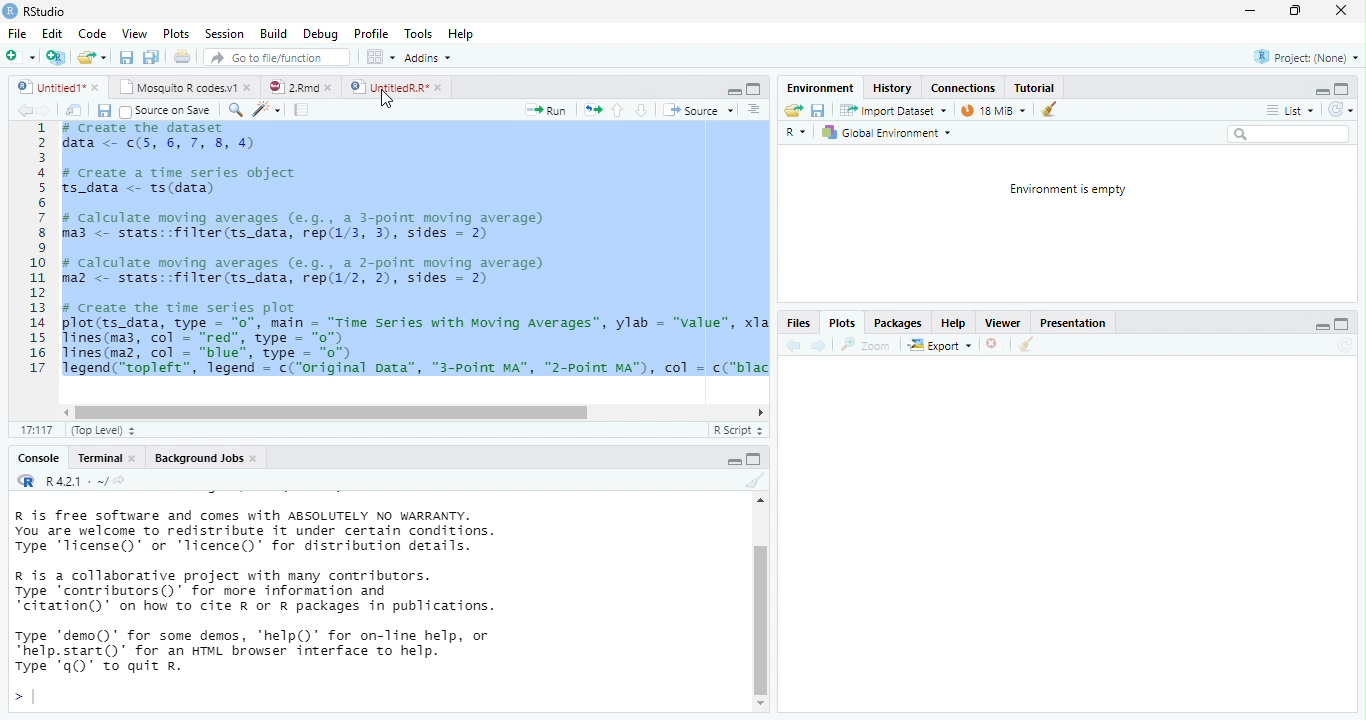 The width and height of the screenshot is (1366, 720). I want to click on Tools, so click(419, 33).